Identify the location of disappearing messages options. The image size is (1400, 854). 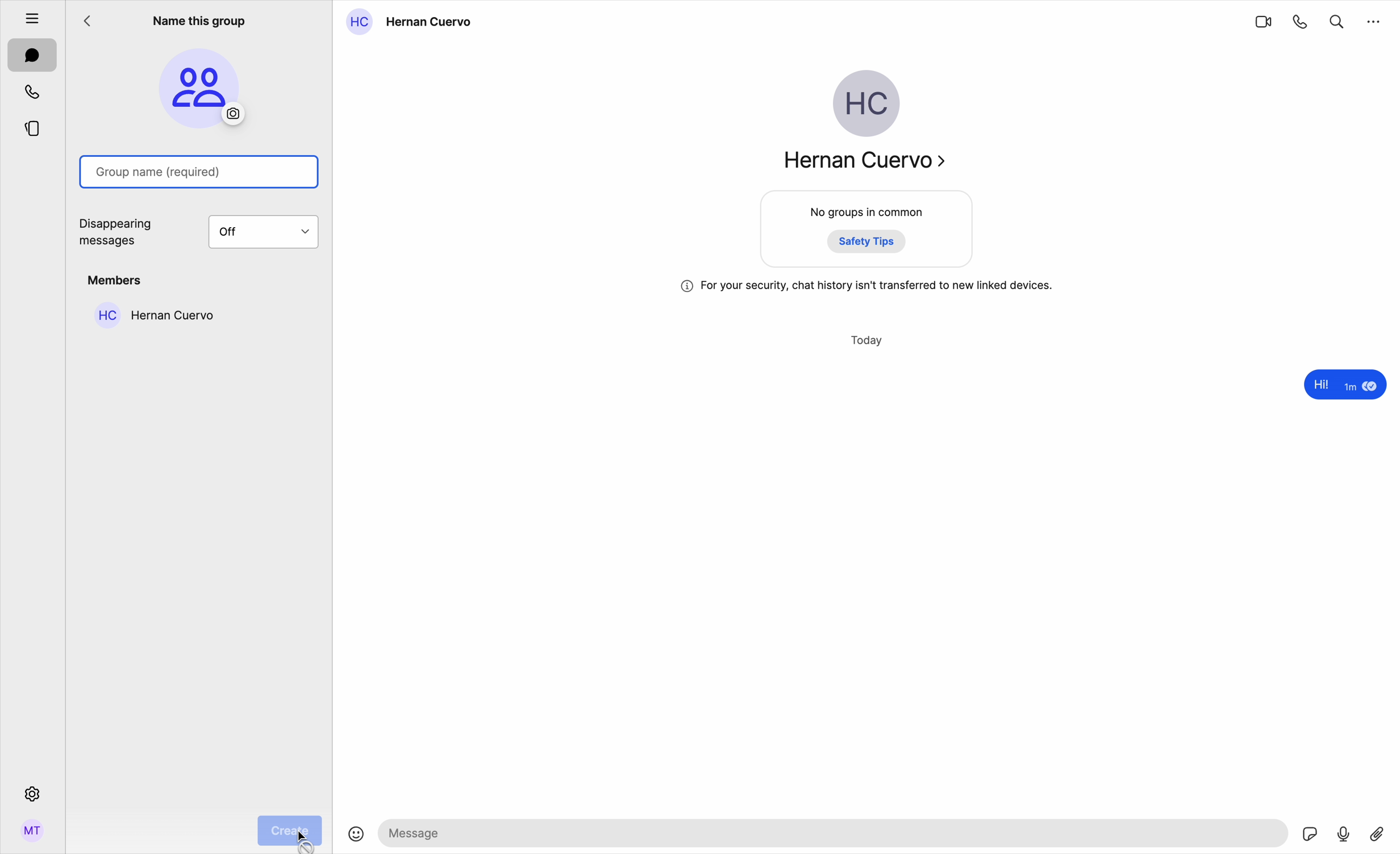
(203, 233).